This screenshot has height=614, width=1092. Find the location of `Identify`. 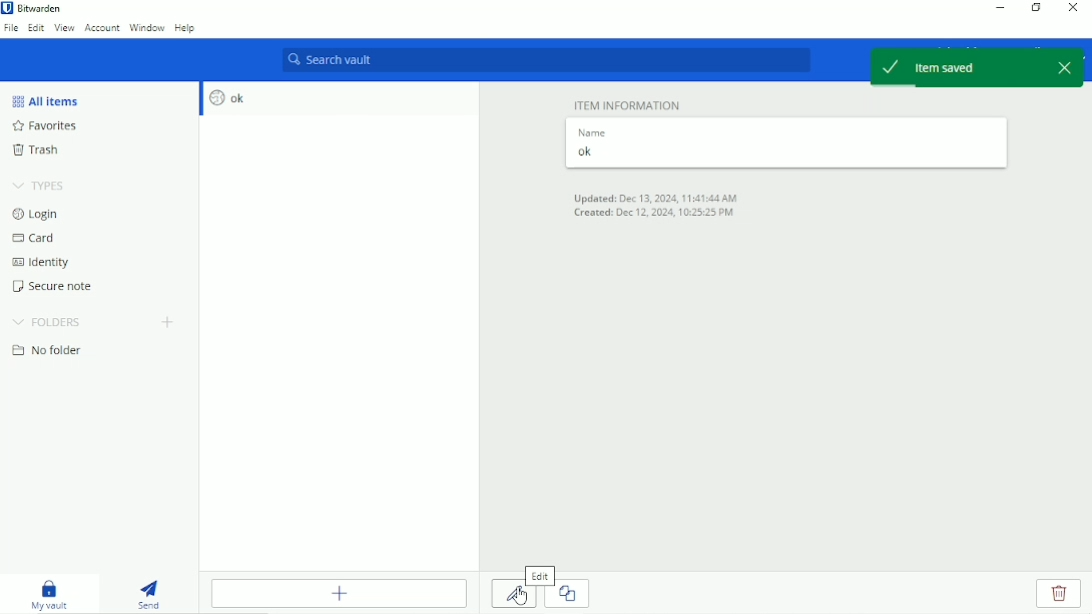

Identify is located at coordinates (44, 263).